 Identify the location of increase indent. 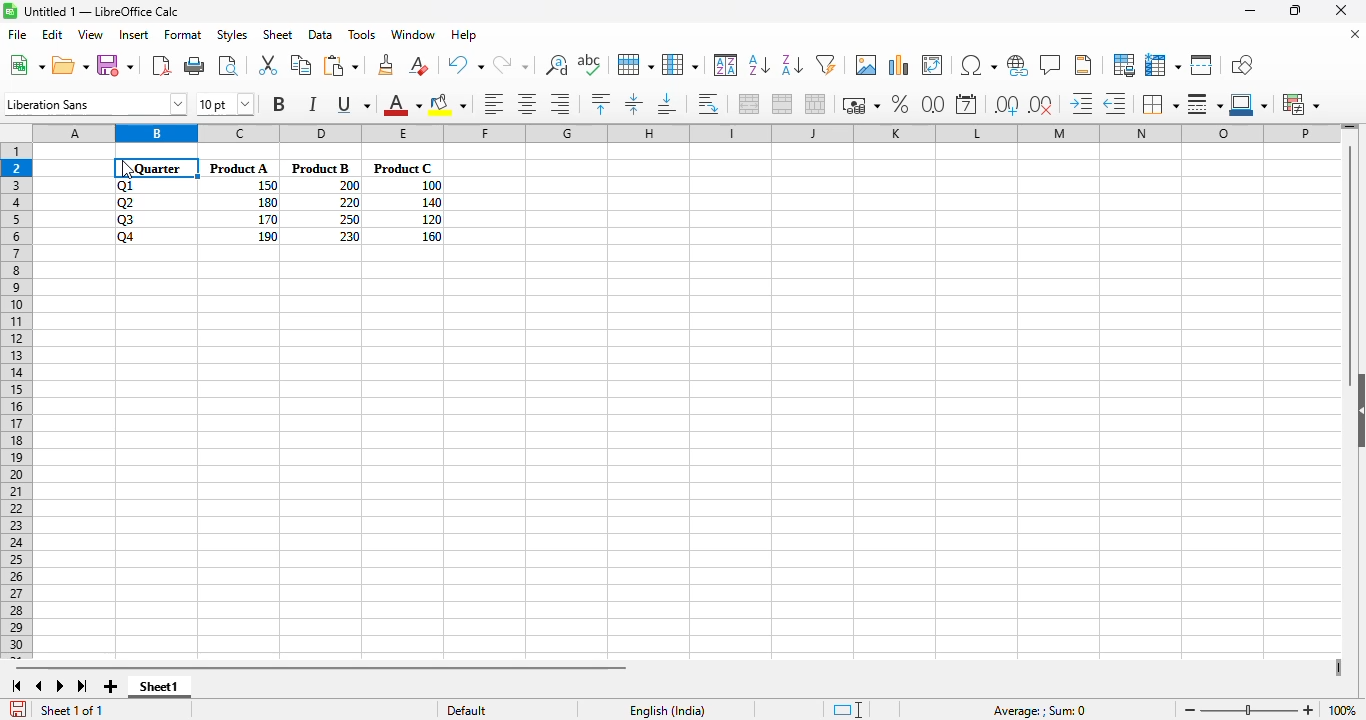
(1082, 103).